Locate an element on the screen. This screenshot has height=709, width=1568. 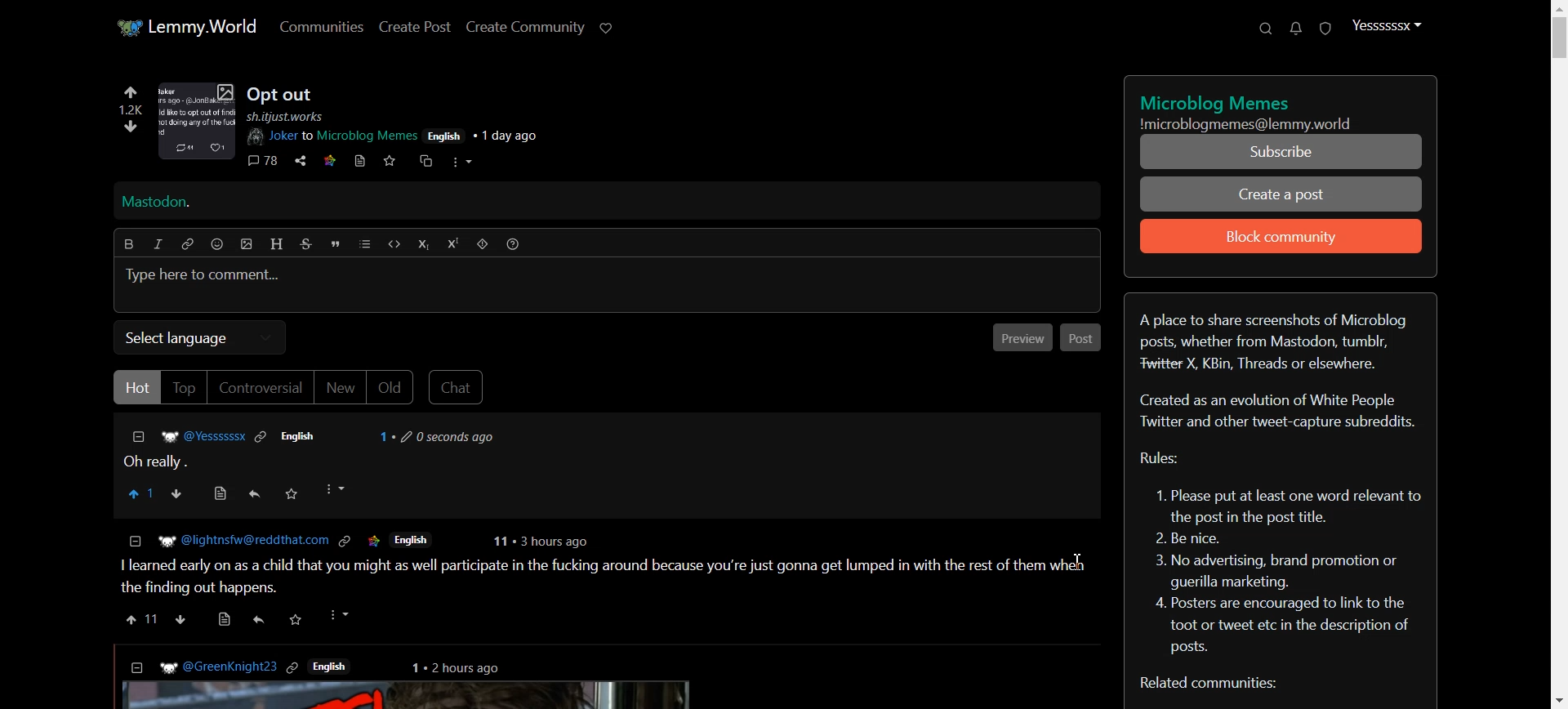
view is located at coordinates (224, 618).